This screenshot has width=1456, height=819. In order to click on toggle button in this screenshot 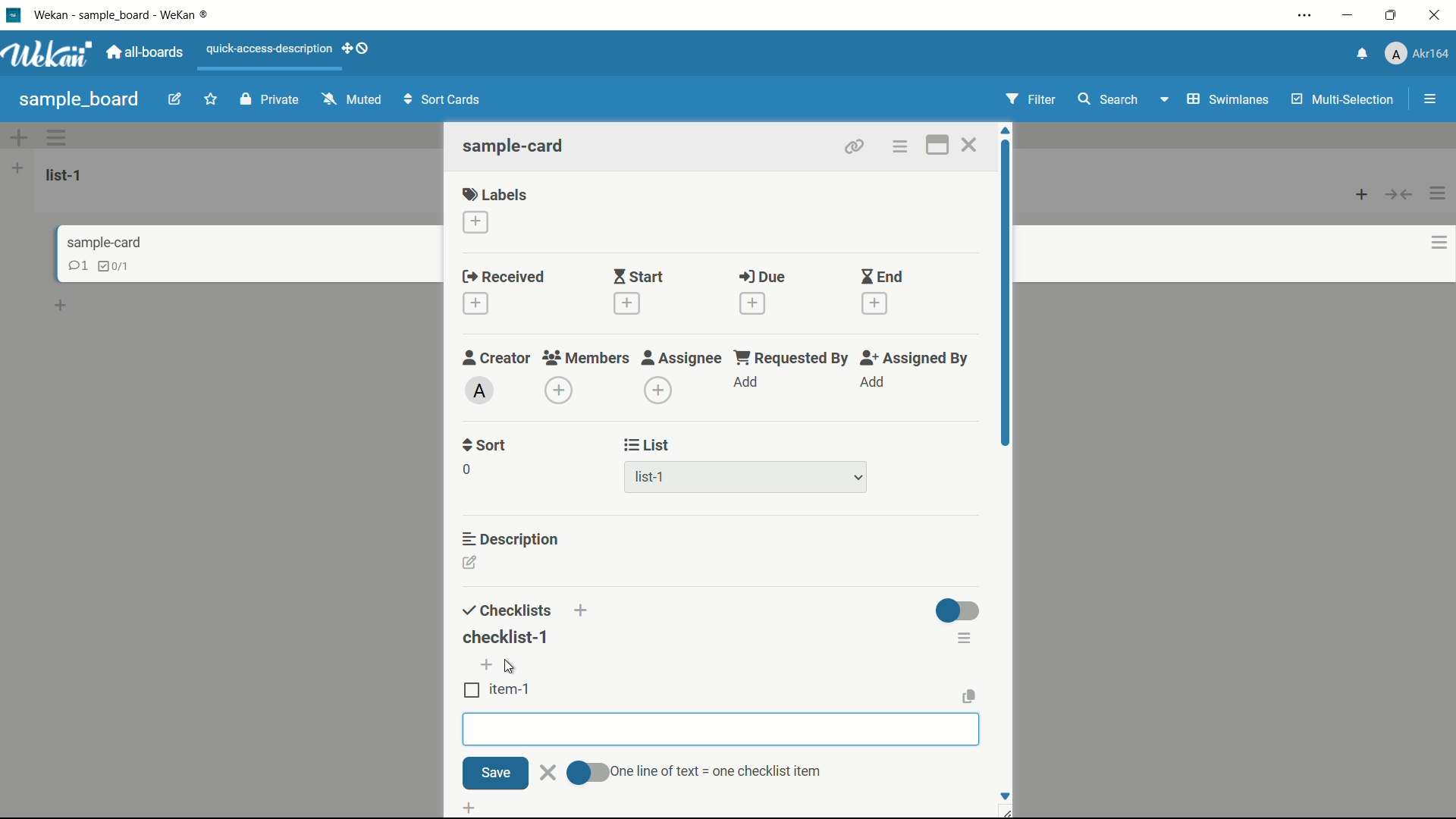, I will do `click(959, 612)`.